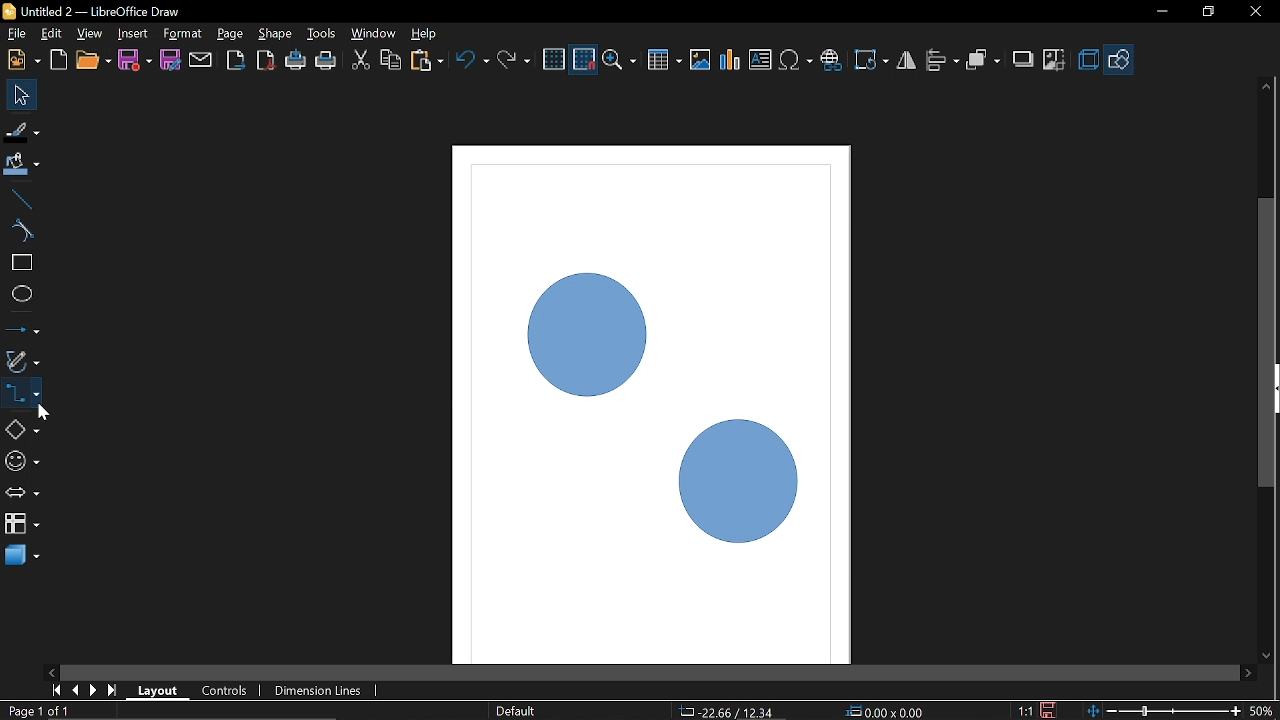  What do you see at coordinates (872, 58) in the screenshot?
I see `Rotate` at bounding box center [872, 58].